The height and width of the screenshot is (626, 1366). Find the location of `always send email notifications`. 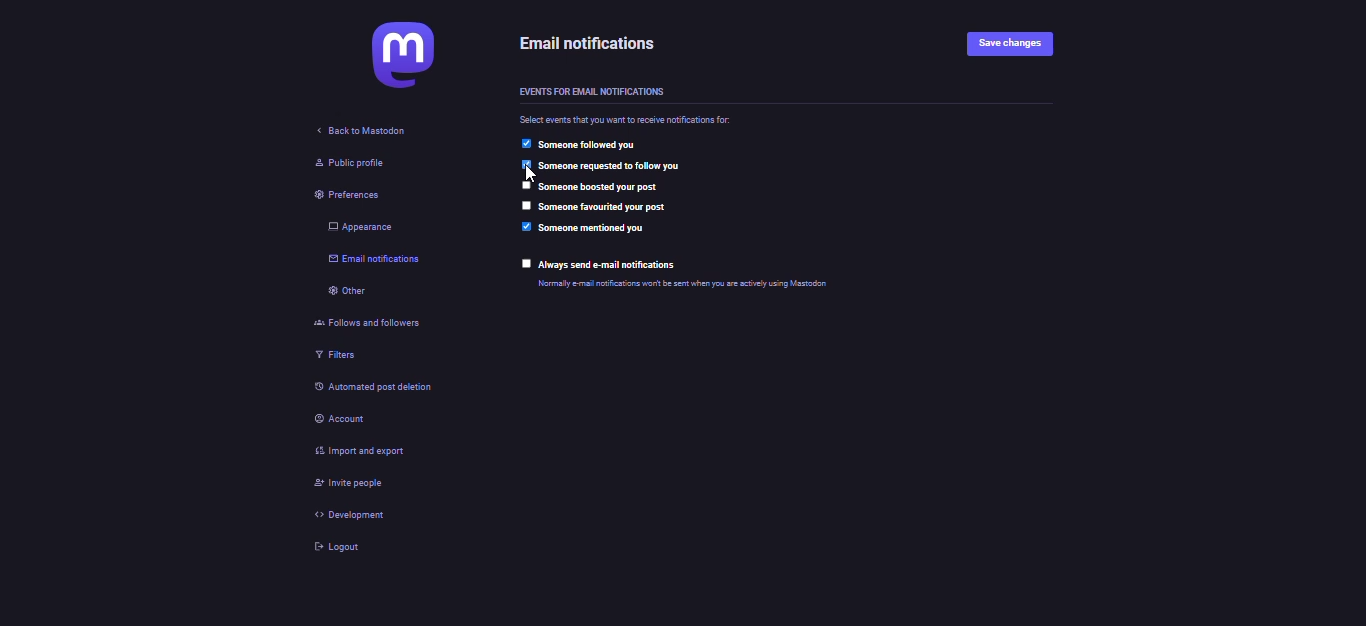

always send email notifications is located at coordinates (612, 265).